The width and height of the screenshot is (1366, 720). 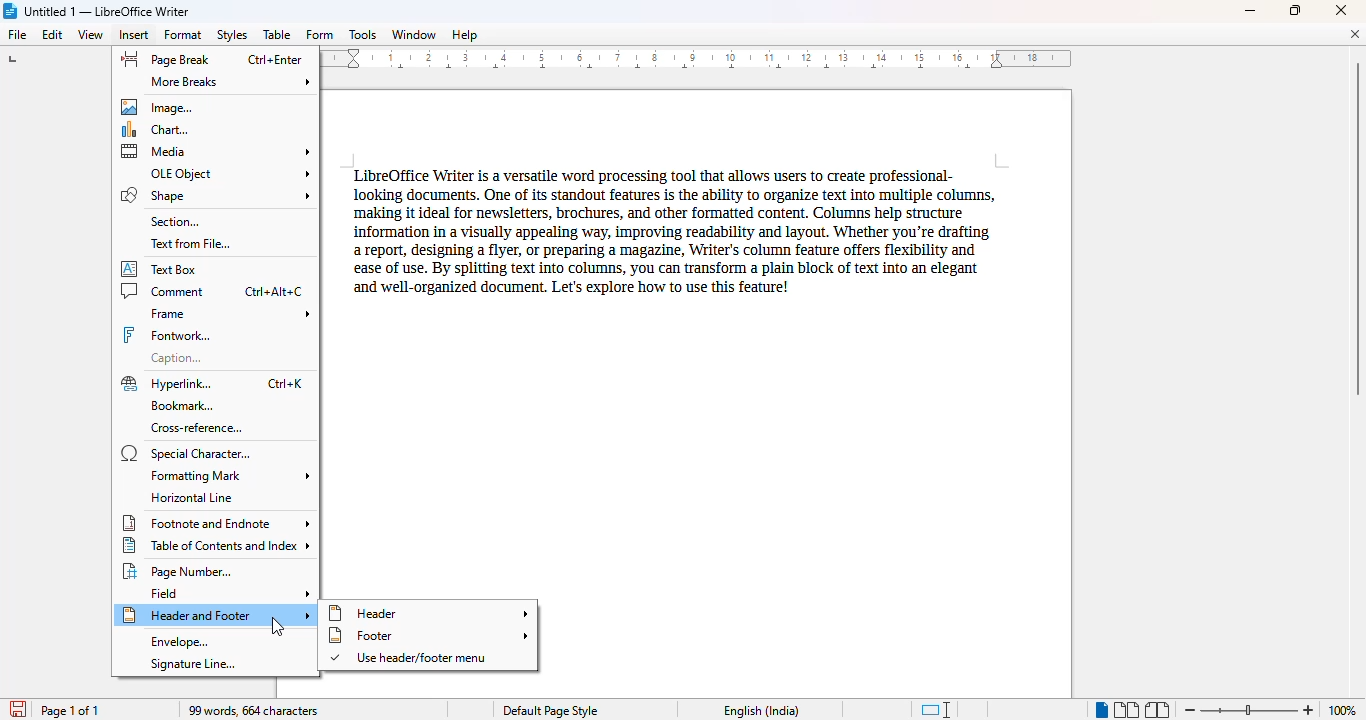 I want to click on English (India), so click(x=762, y=711).